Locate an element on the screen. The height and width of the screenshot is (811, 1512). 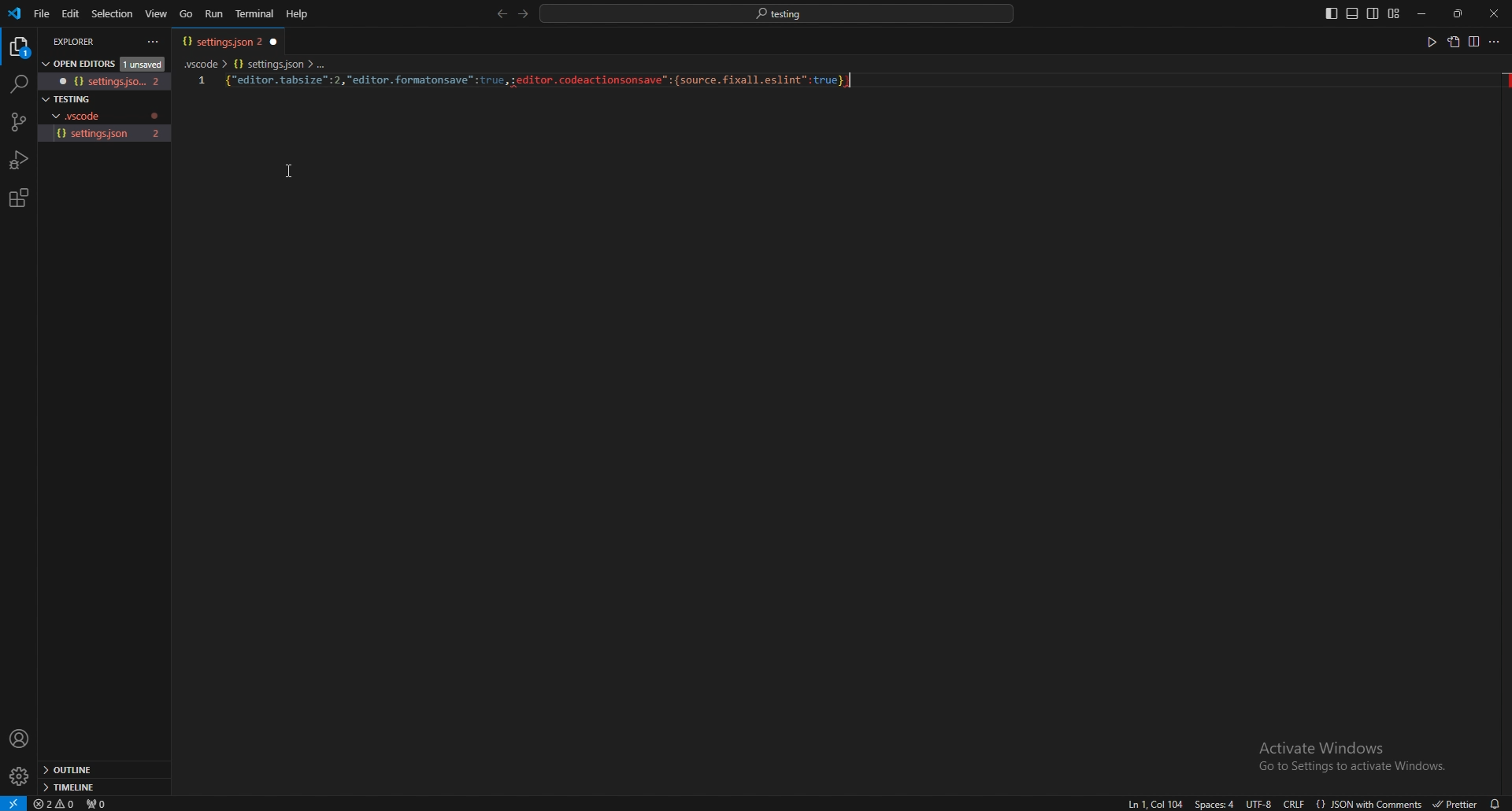
code is located at coordinates (531, 80).